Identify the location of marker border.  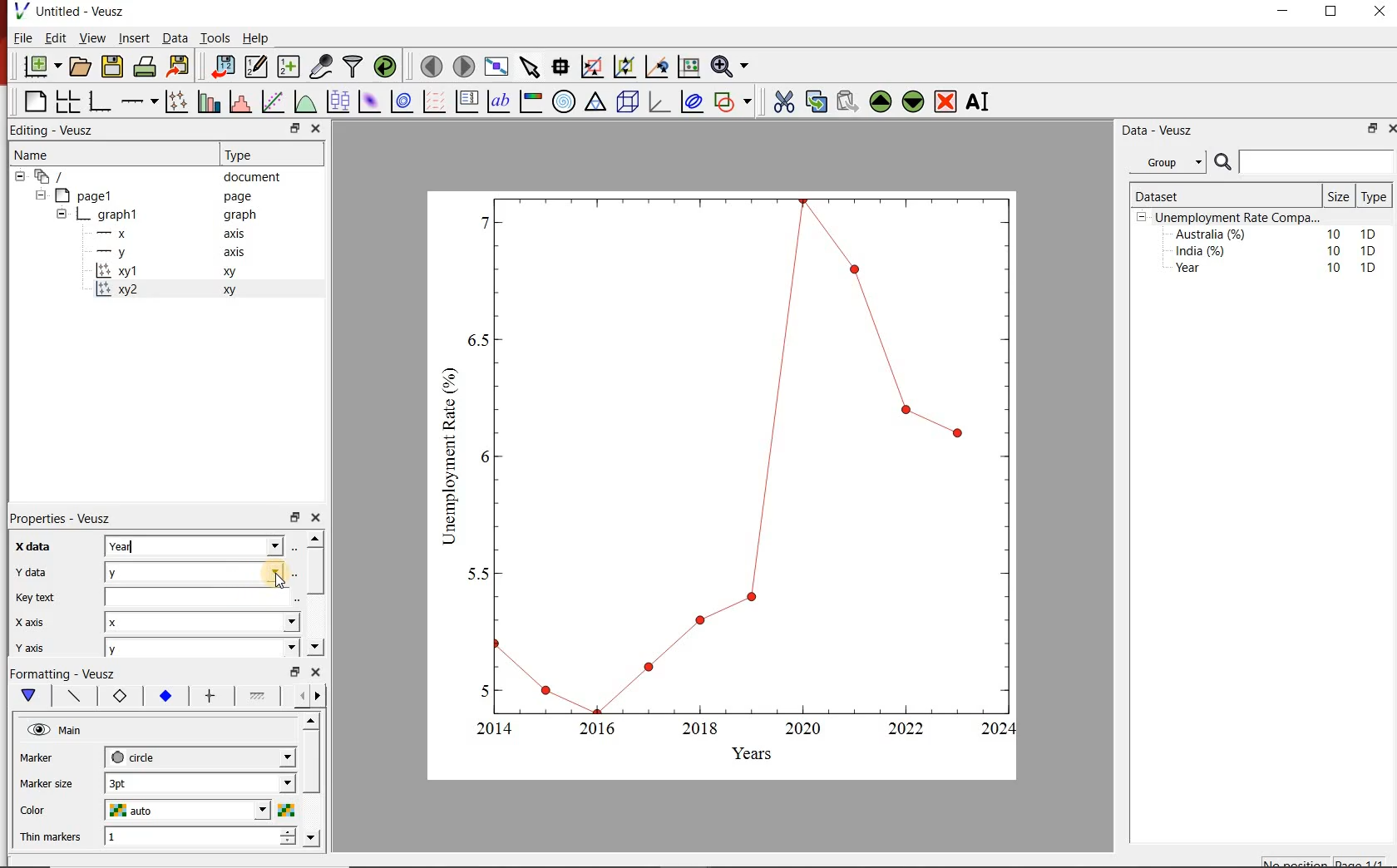
(119, 697).